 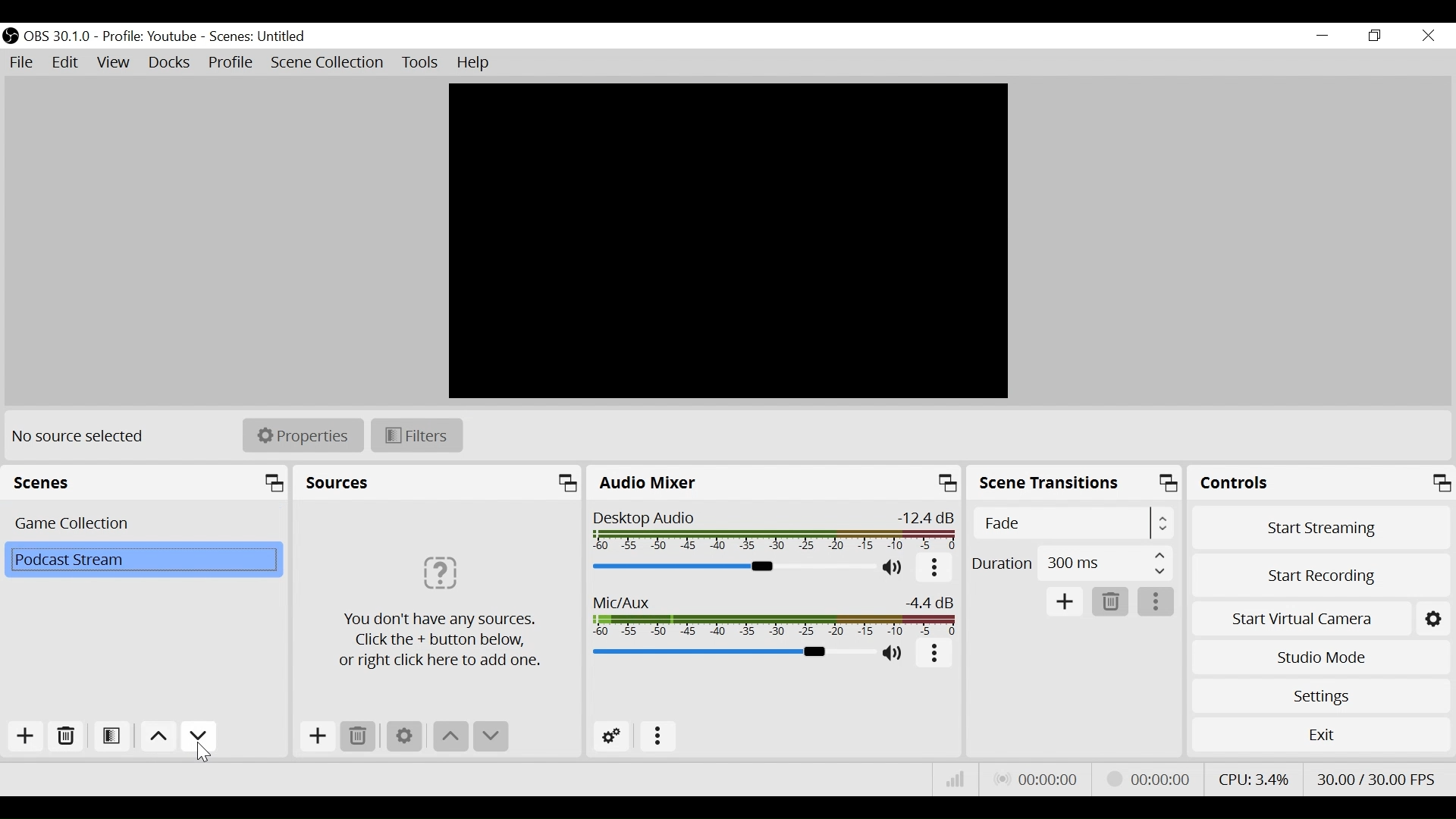 What do you see at coordinates (489, 737) in the screenshot?
I see `Move down` at bounding box center [489, 737].